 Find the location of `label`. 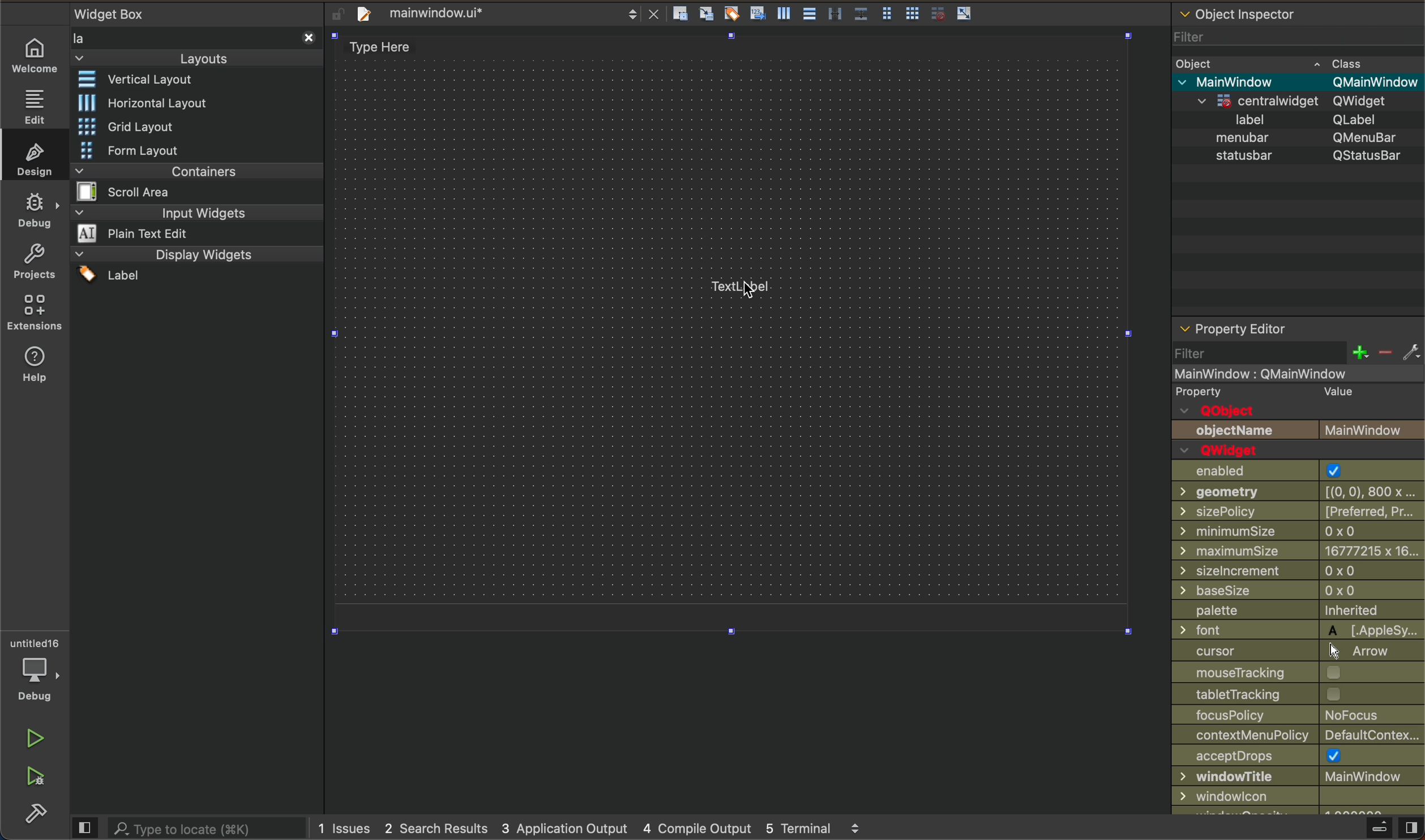

label is located at coordinates (1298, 119).